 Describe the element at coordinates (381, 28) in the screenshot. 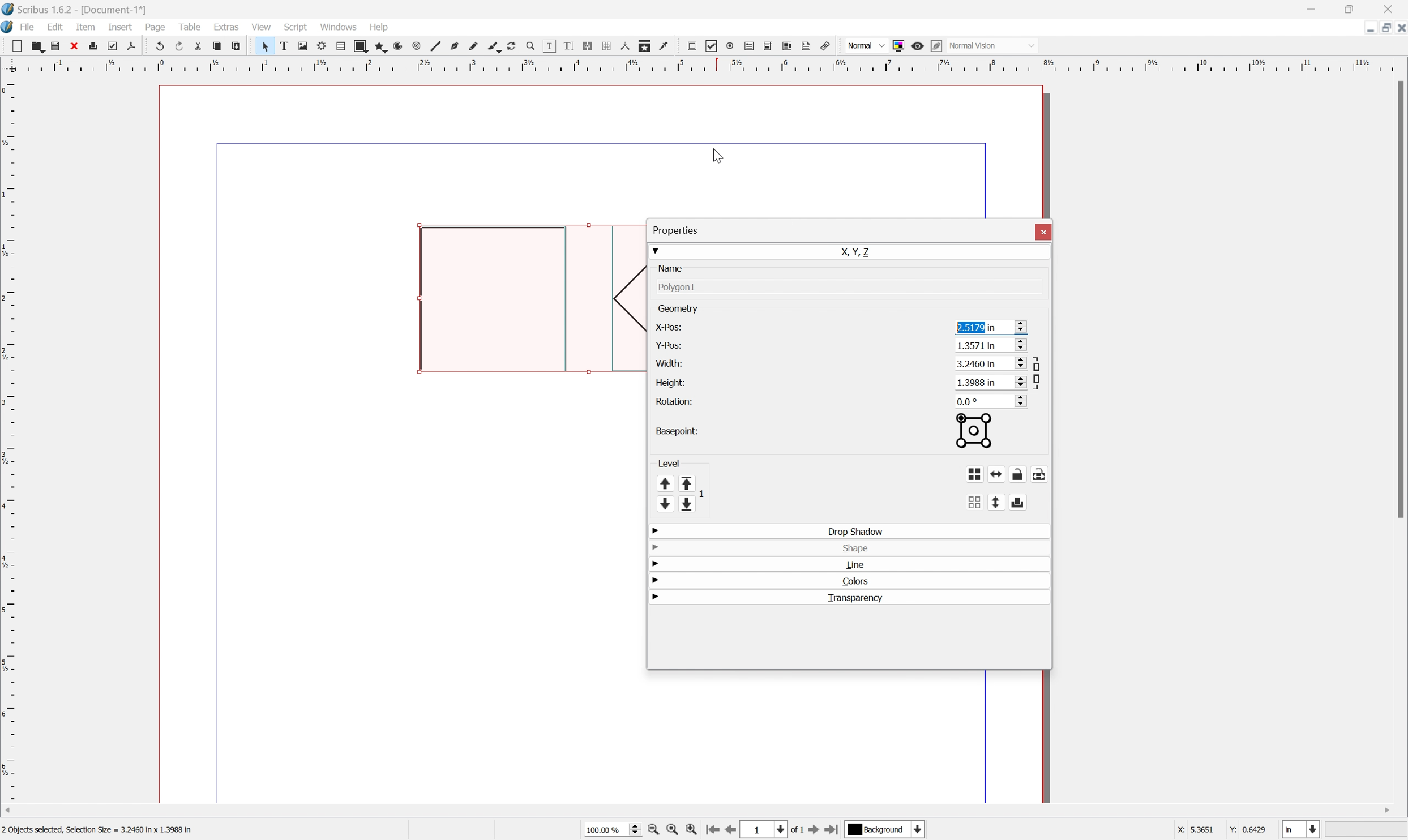

I see `help` at that location.